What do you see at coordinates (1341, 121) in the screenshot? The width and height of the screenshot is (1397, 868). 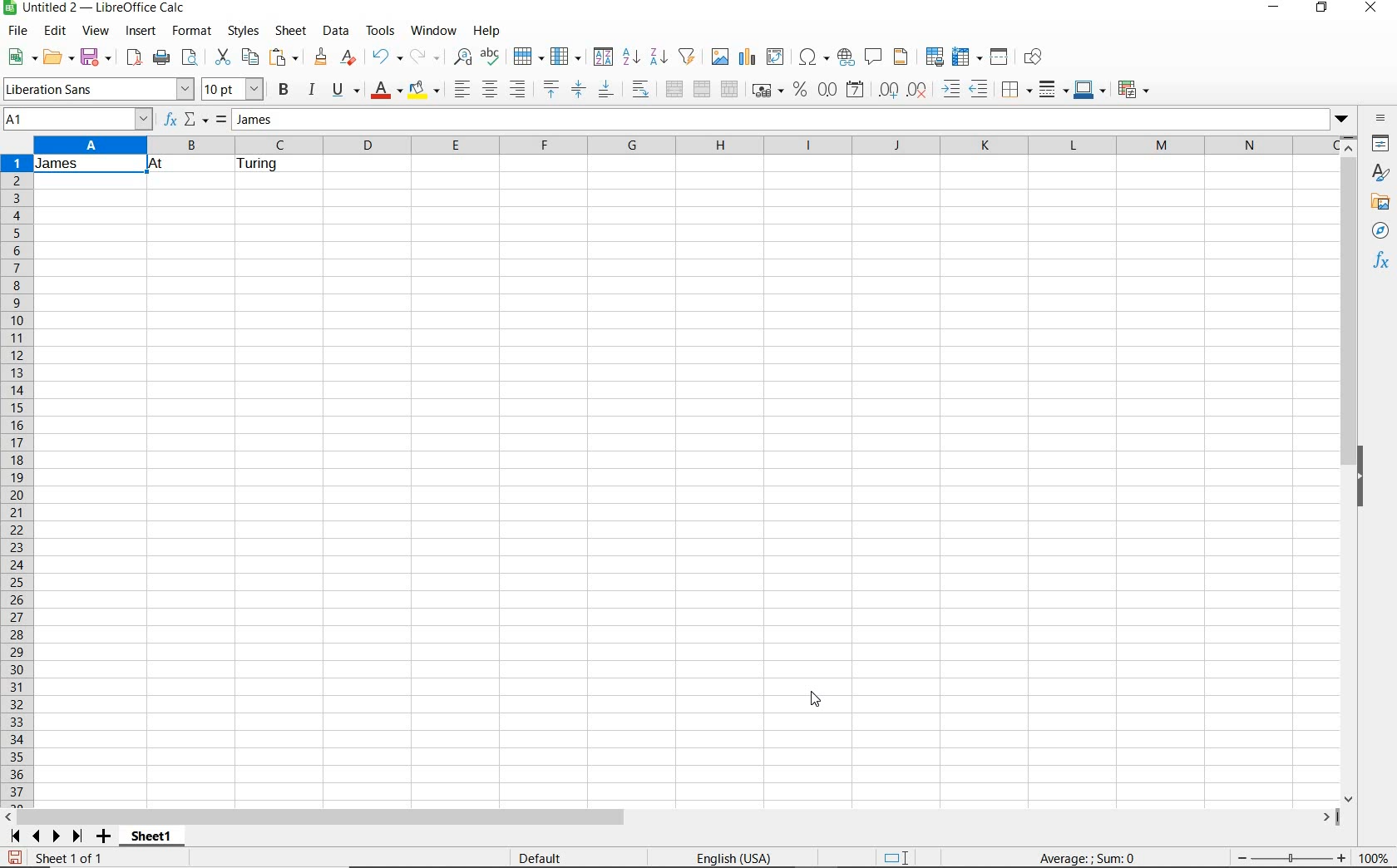 I see `dropdown` at bounding box center [1341, 121].